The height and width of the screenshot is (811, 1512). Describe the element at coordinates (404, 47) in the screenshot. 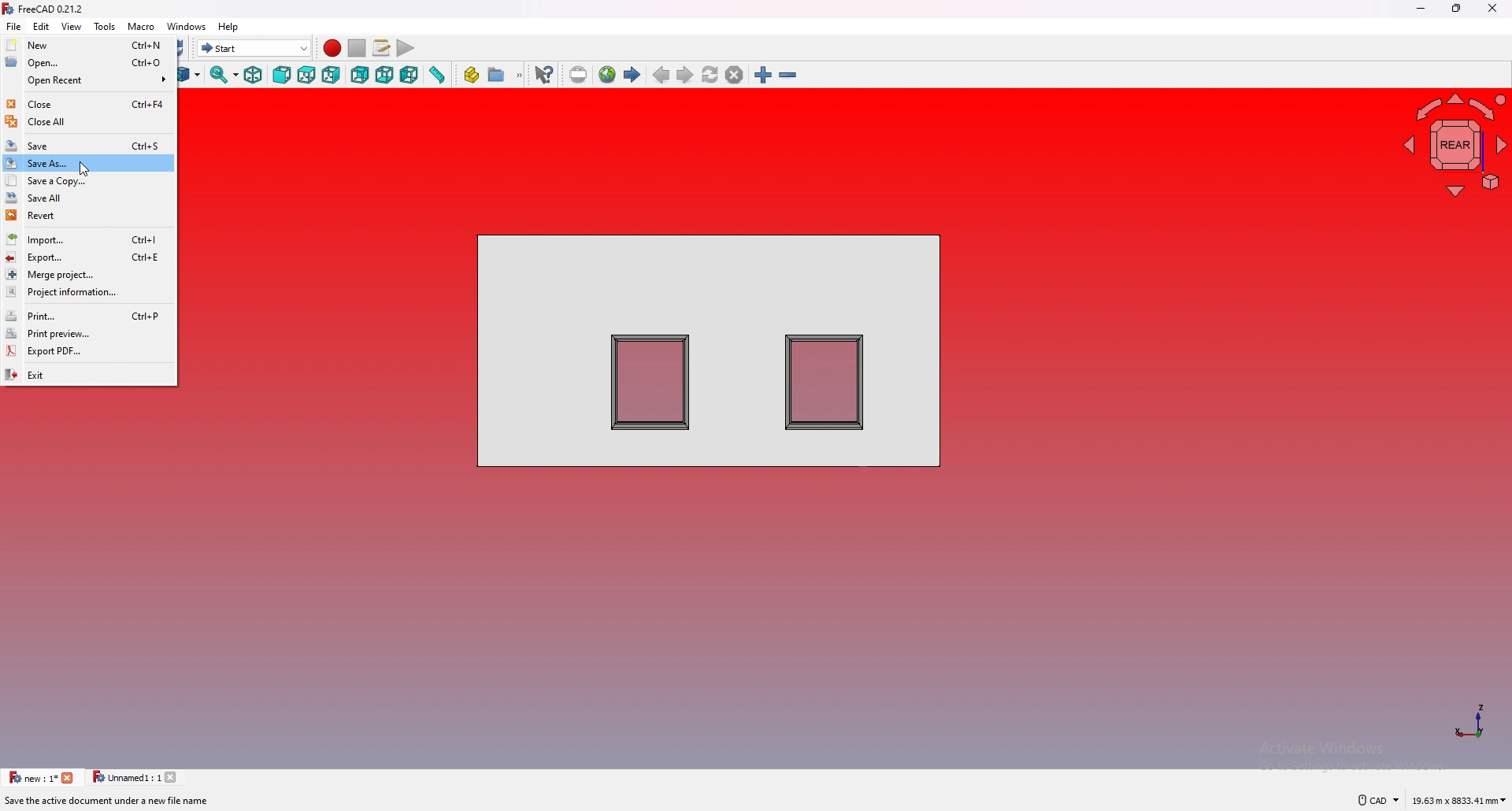

I see `execute macro` at that location.